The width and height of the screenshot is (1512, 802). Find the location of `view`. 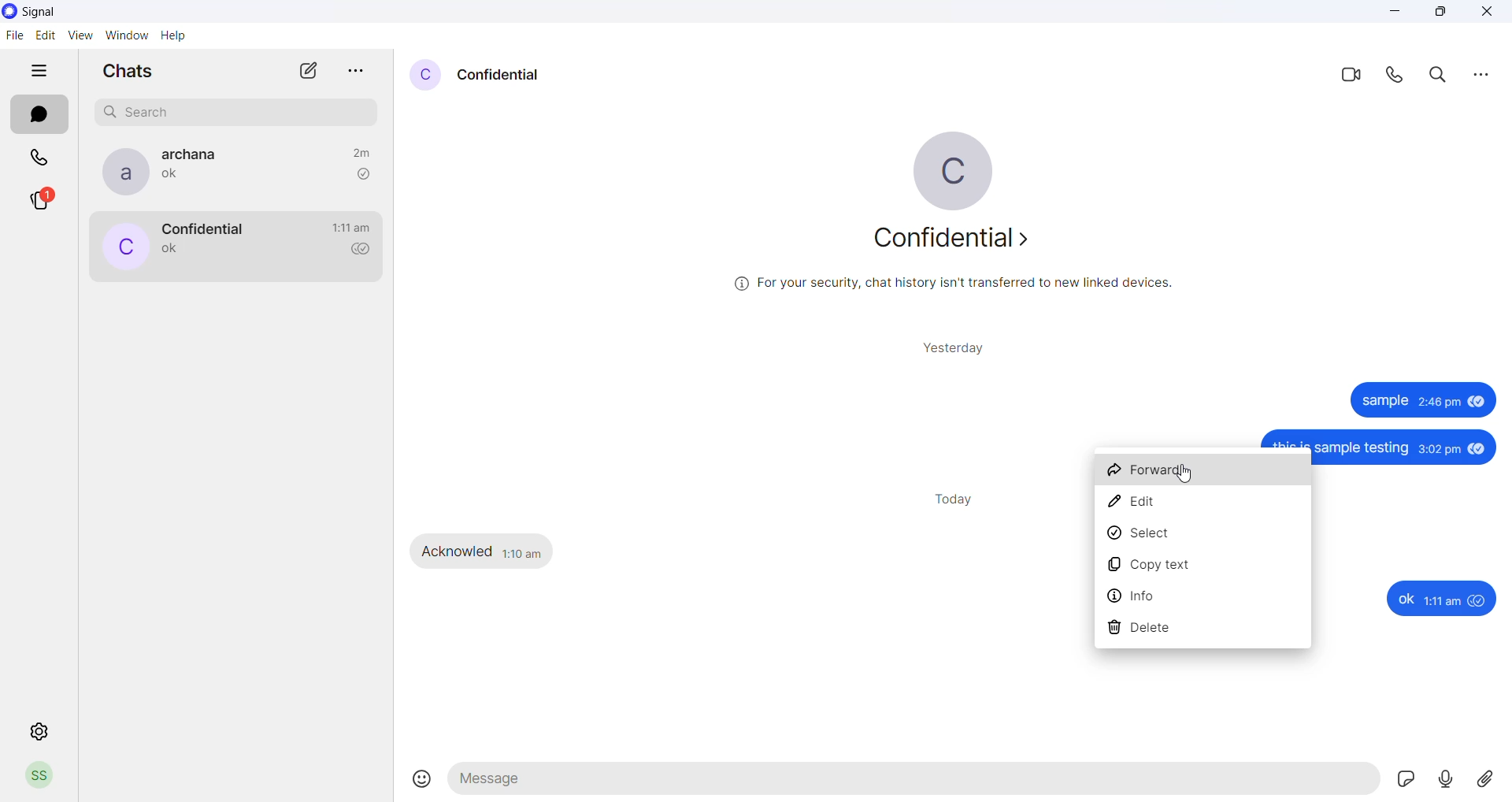

view is located at coordinates (82, 36).